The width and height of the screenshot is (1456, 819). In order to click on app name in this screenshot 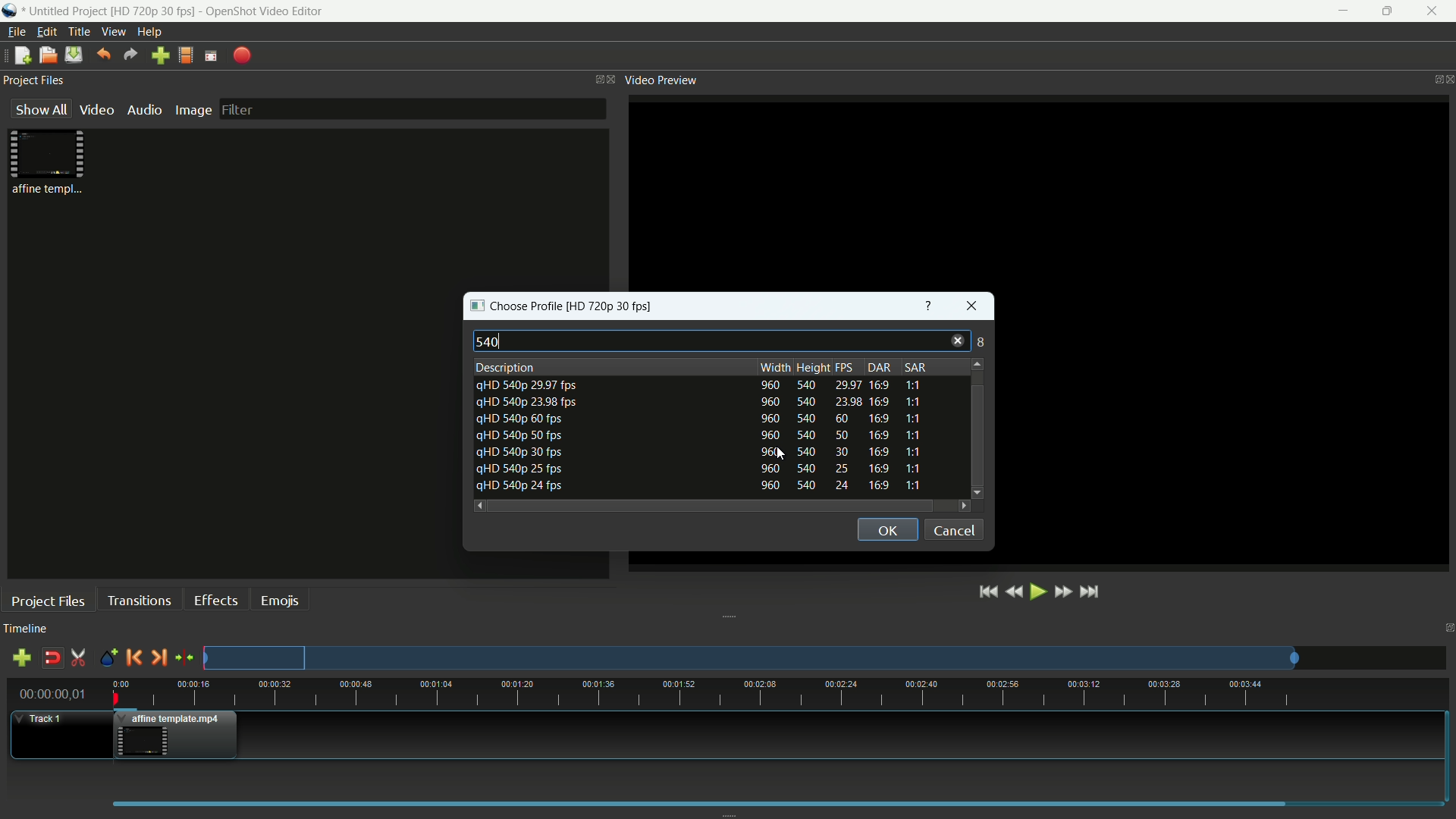, I will do `click(263, 11)`.